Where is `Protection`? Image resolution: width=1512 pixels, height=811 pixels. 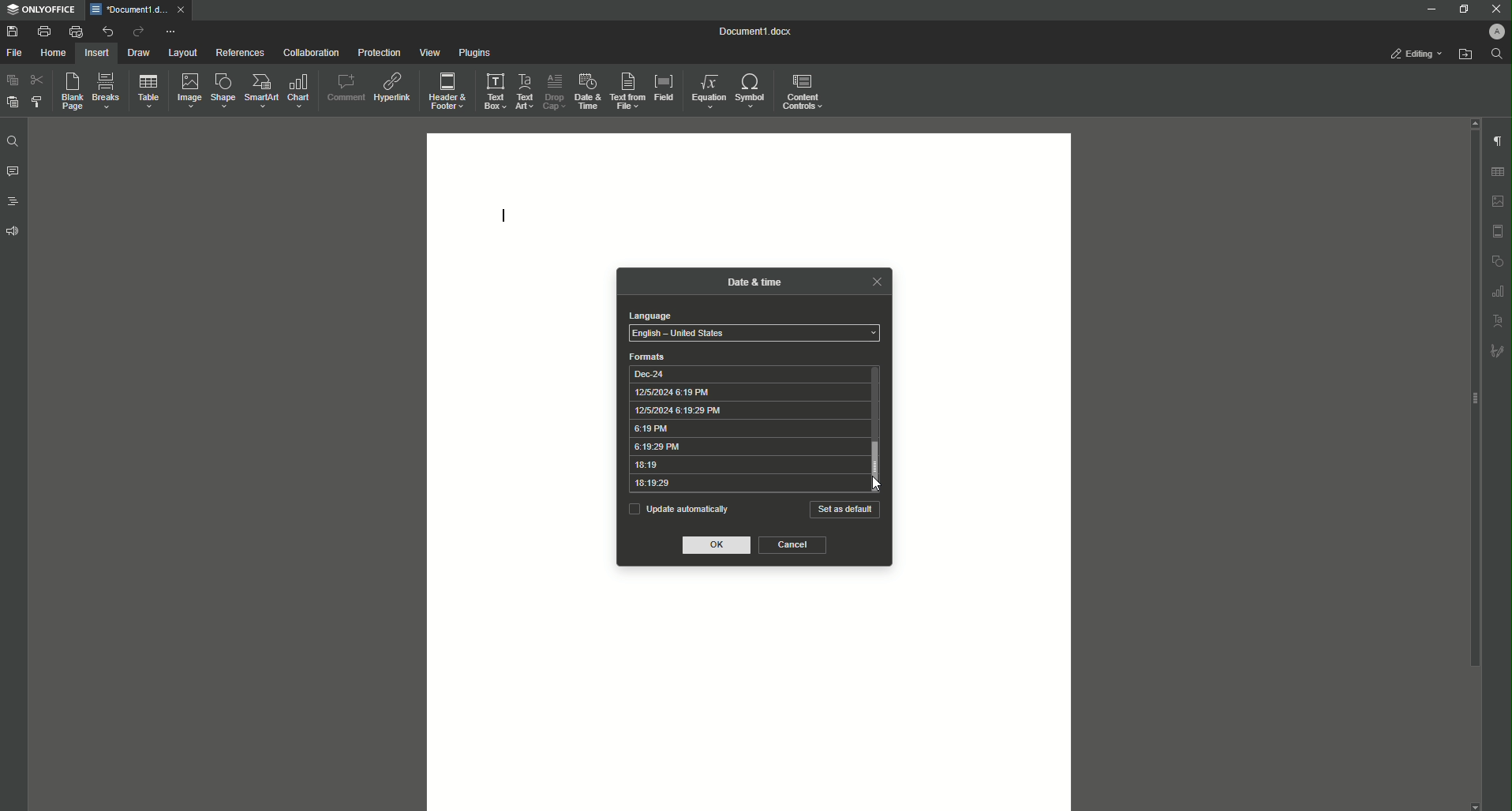 Protection is located at coordinates (376, 51).